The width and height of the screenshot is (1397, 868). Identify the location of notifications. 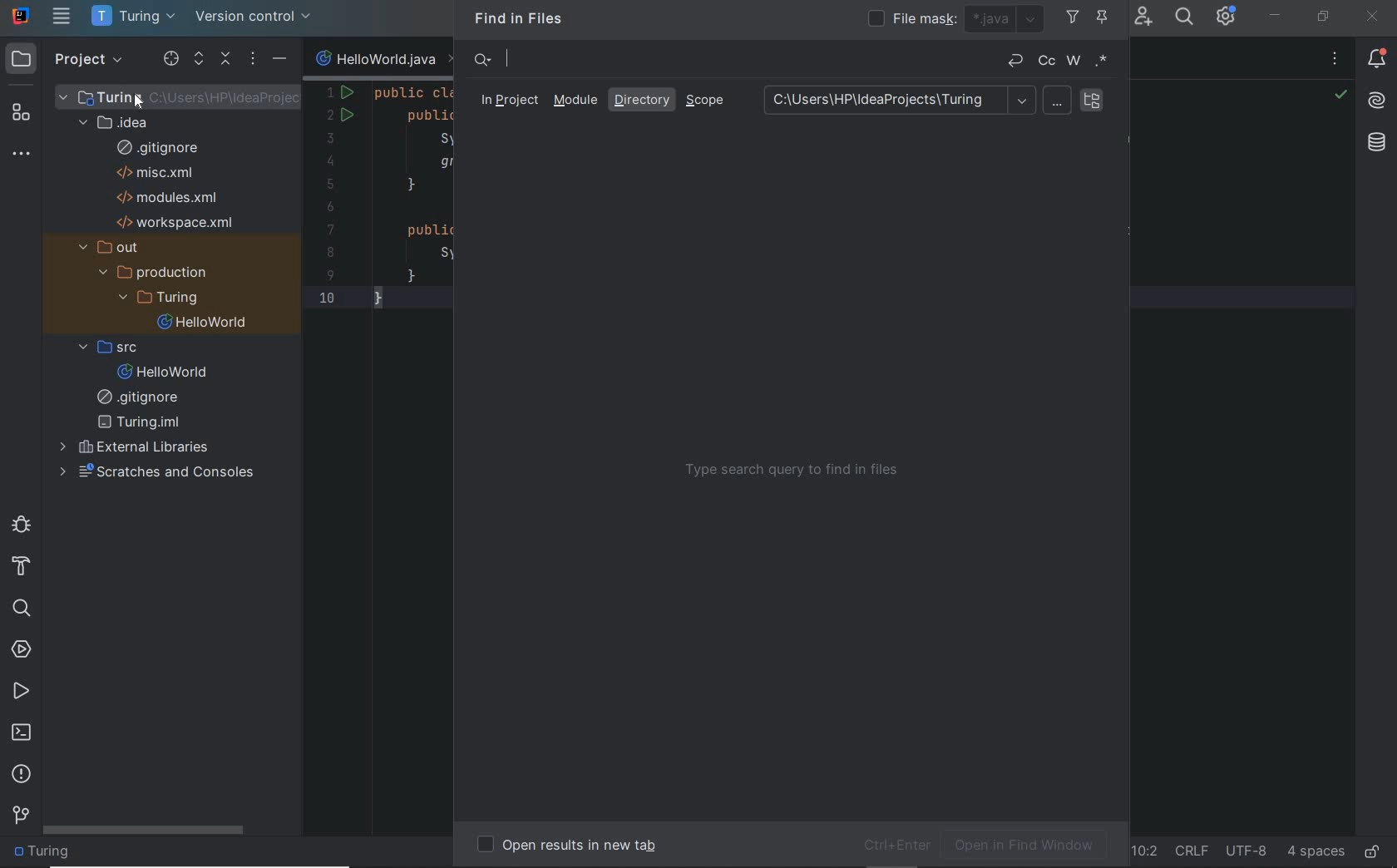
(1376, 58).